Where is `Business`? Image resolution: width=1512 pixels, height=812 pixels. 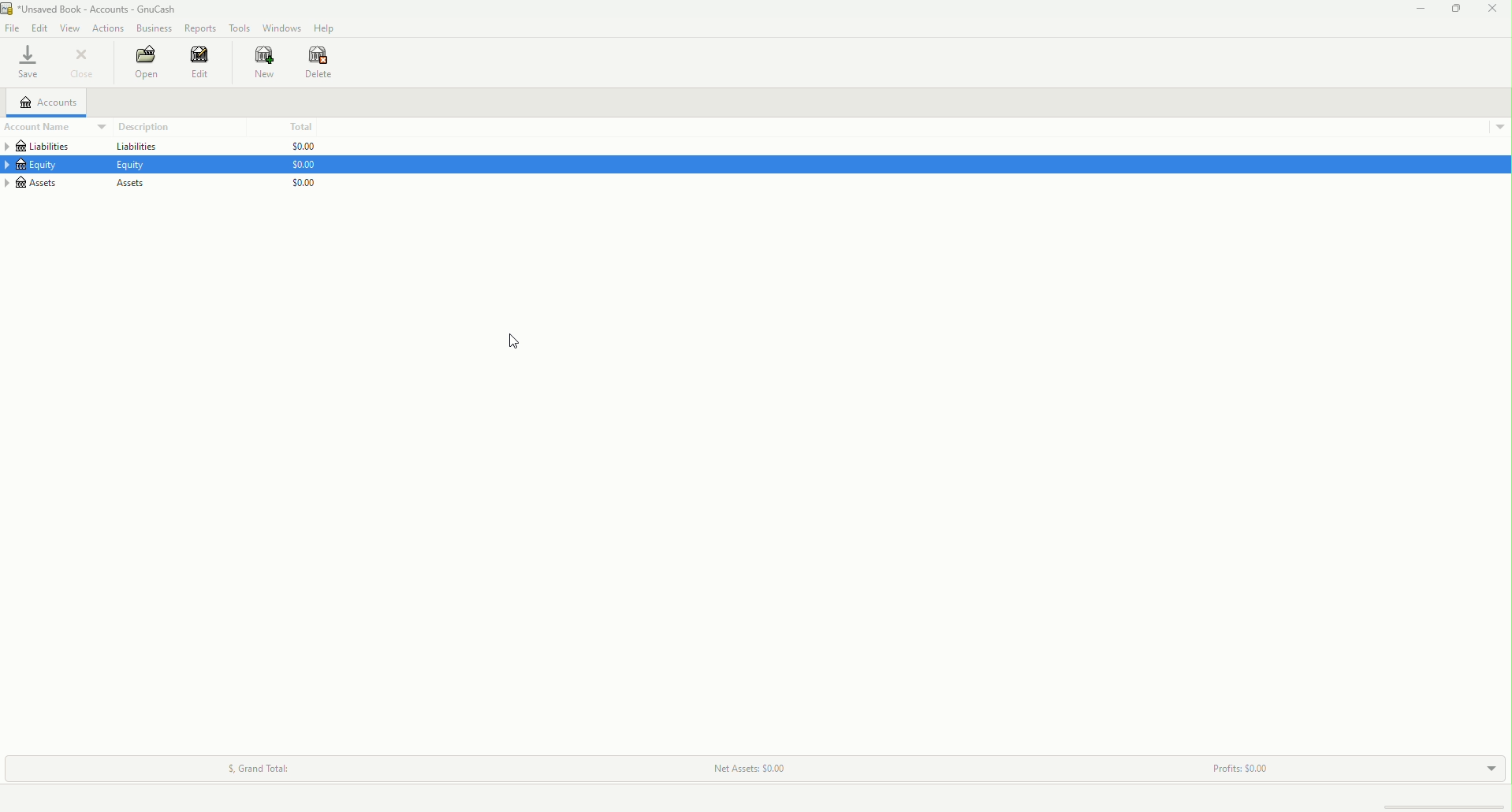 Business is located at coordinates (152, 26).